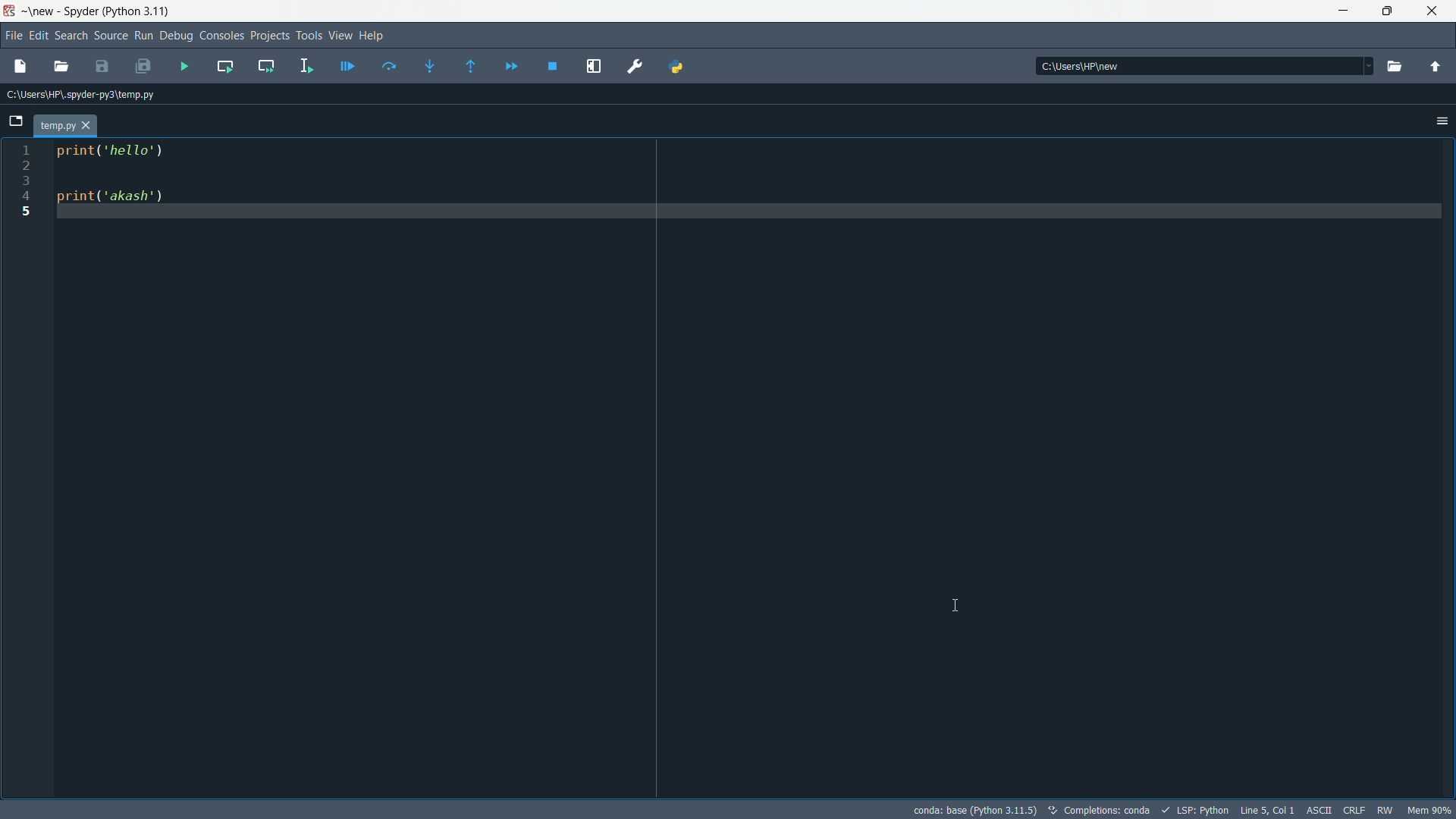  I want to click on view menu, so click(340, 36).